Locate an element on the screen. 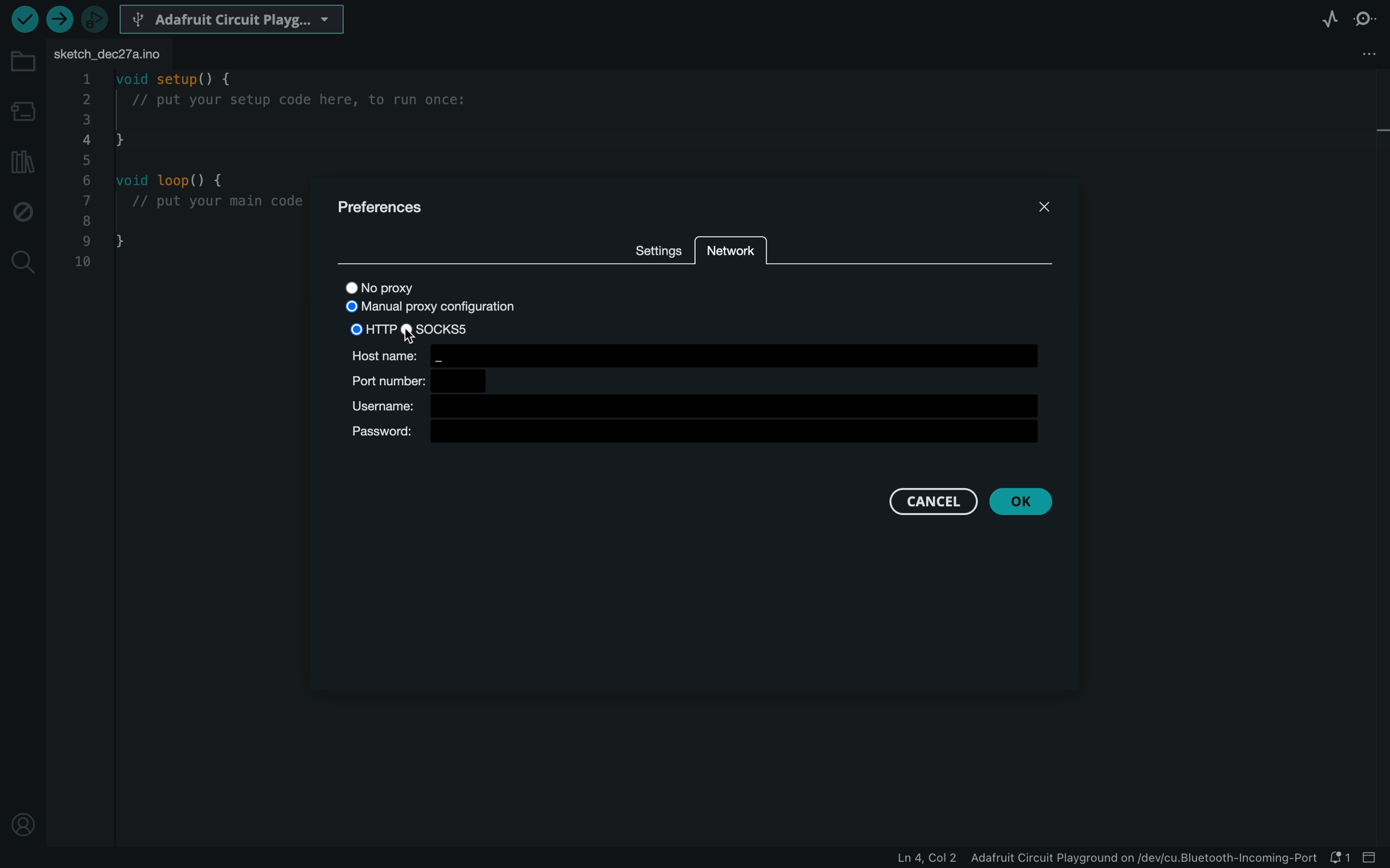  BOARD SELECTER is located at coordinates (234, 18).